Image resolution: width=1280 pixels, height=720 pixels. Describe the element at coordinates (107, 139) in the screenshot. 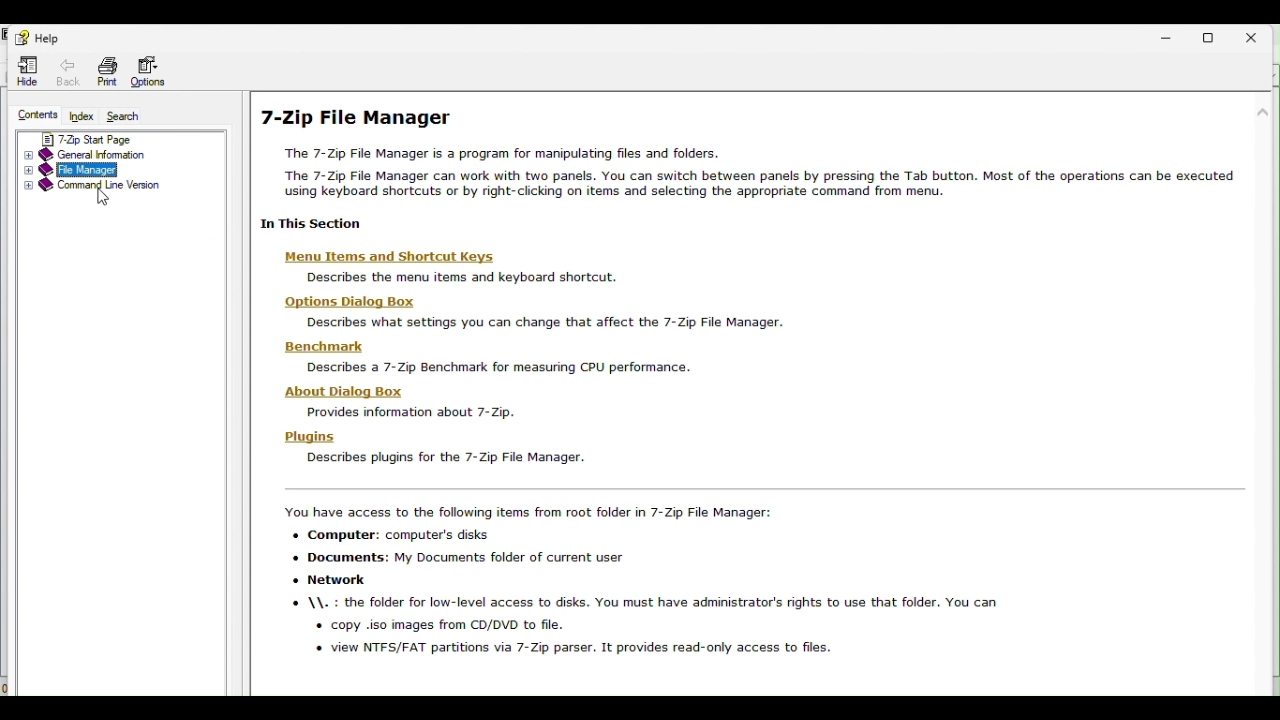

I see `7 zip start page` at that location.